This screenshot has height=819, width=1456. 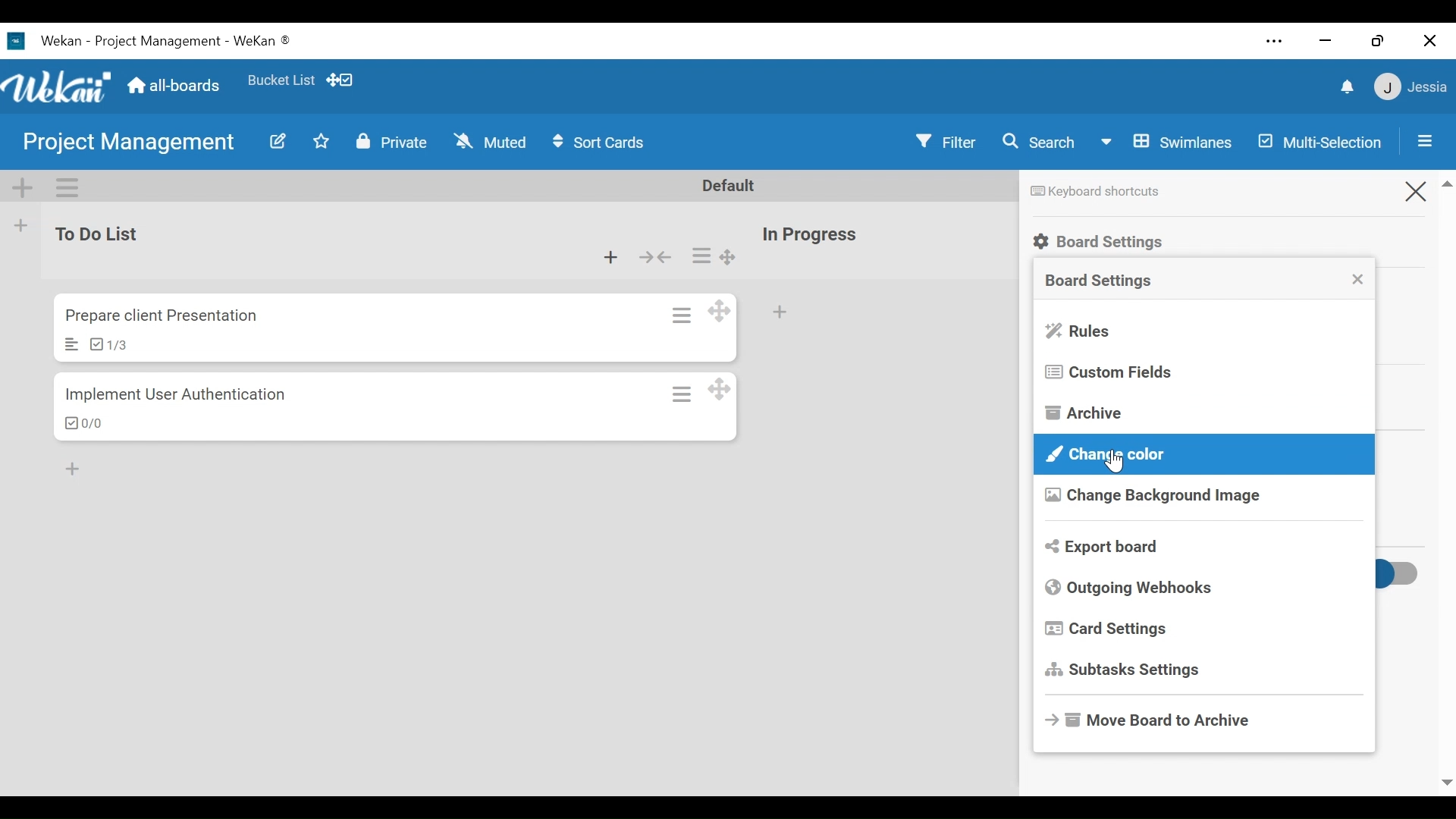 What do you see at coordinates (681, 314) in the screenshot?
I see `Card Actions` at bounding box center [681, 314].